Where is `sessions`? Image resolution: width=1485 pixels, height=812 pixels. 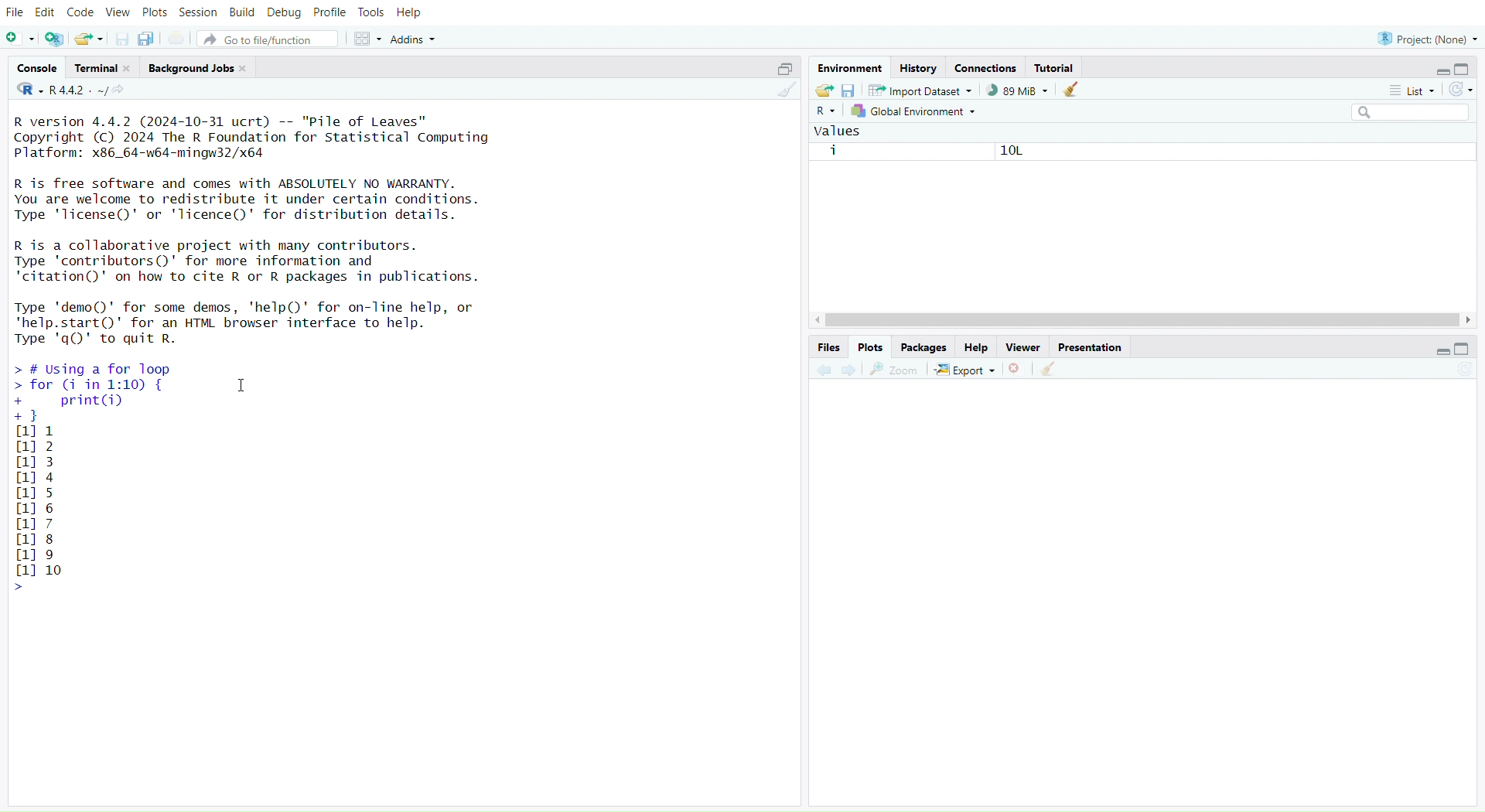
sessions is located at coordinates (199, 12).